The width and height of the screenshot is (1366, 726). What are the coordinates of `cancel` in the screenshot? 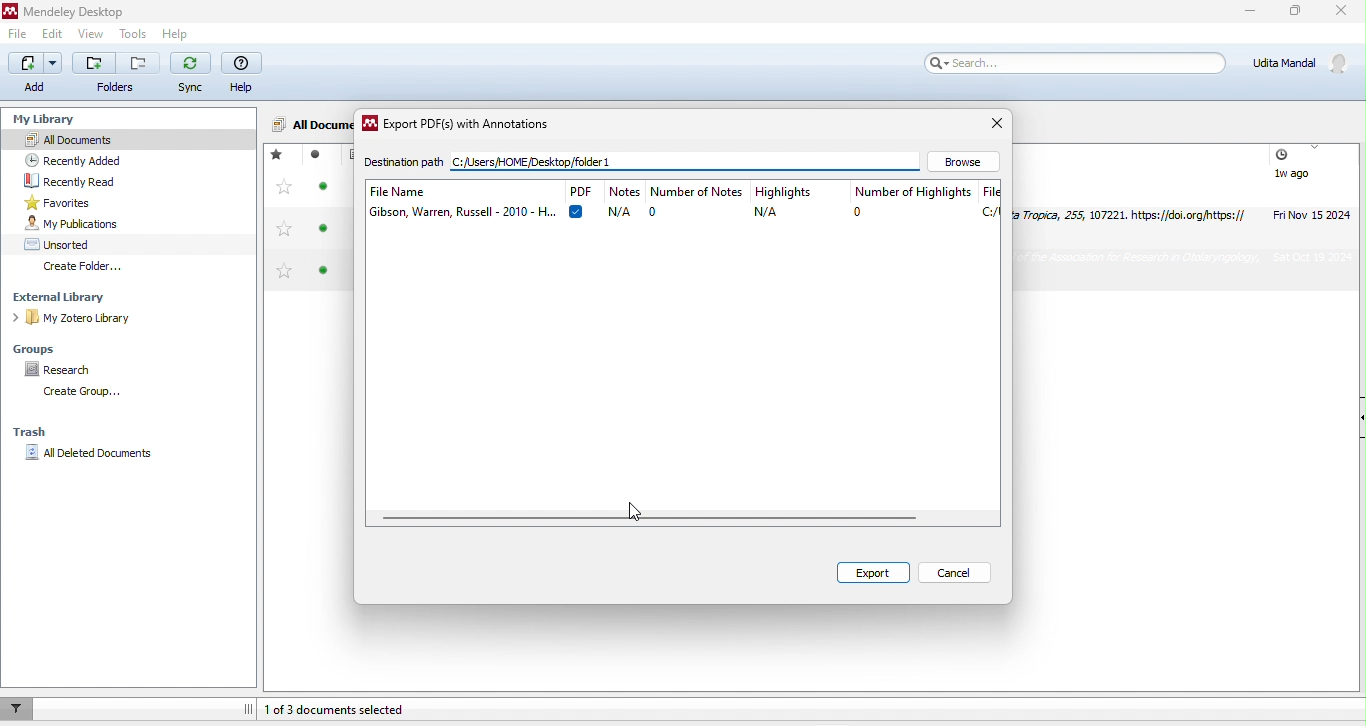 It's located at (954, 572).